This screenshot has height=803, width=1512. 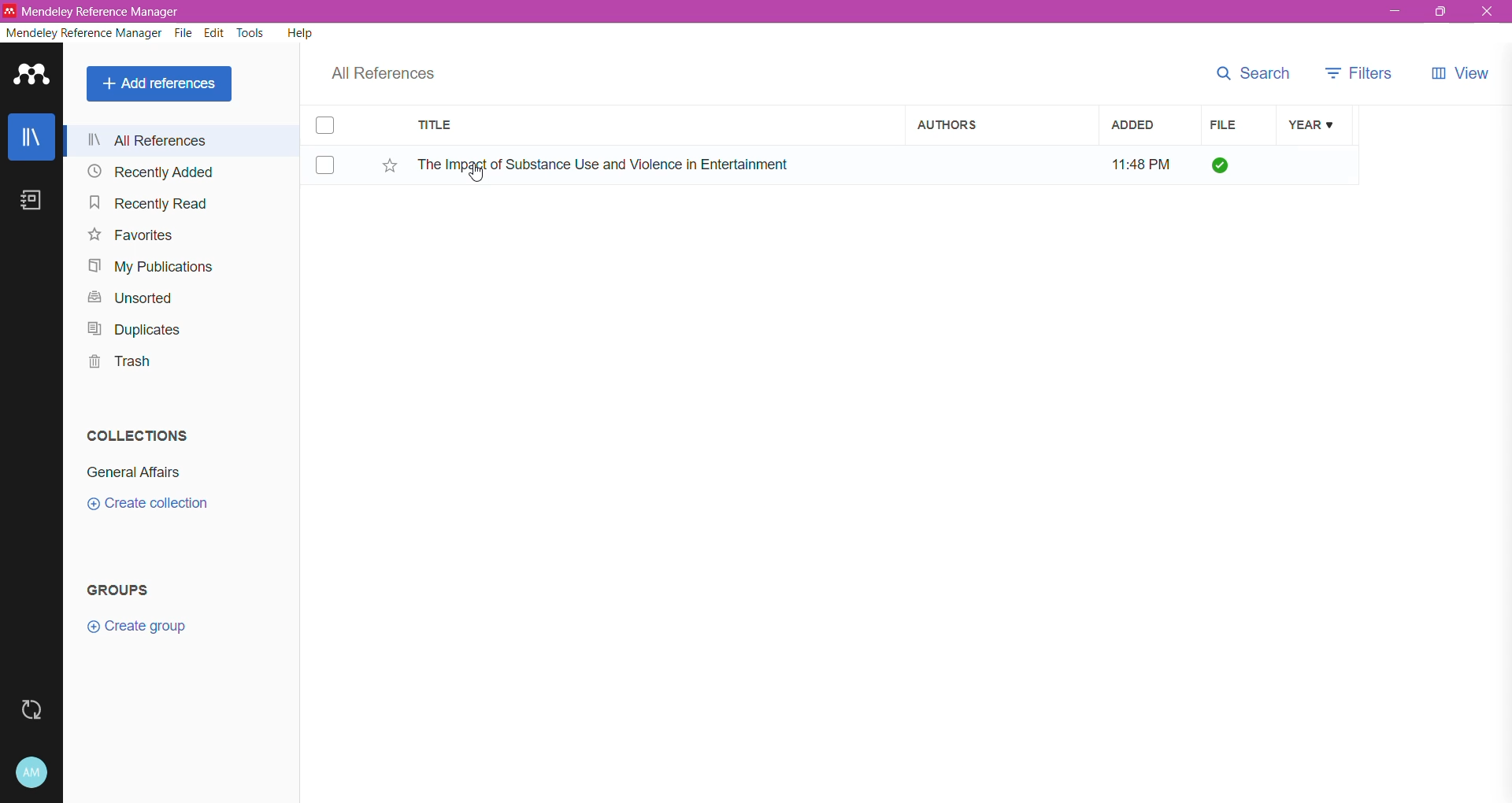 I want to click on Help, so click(x=303, y=33).